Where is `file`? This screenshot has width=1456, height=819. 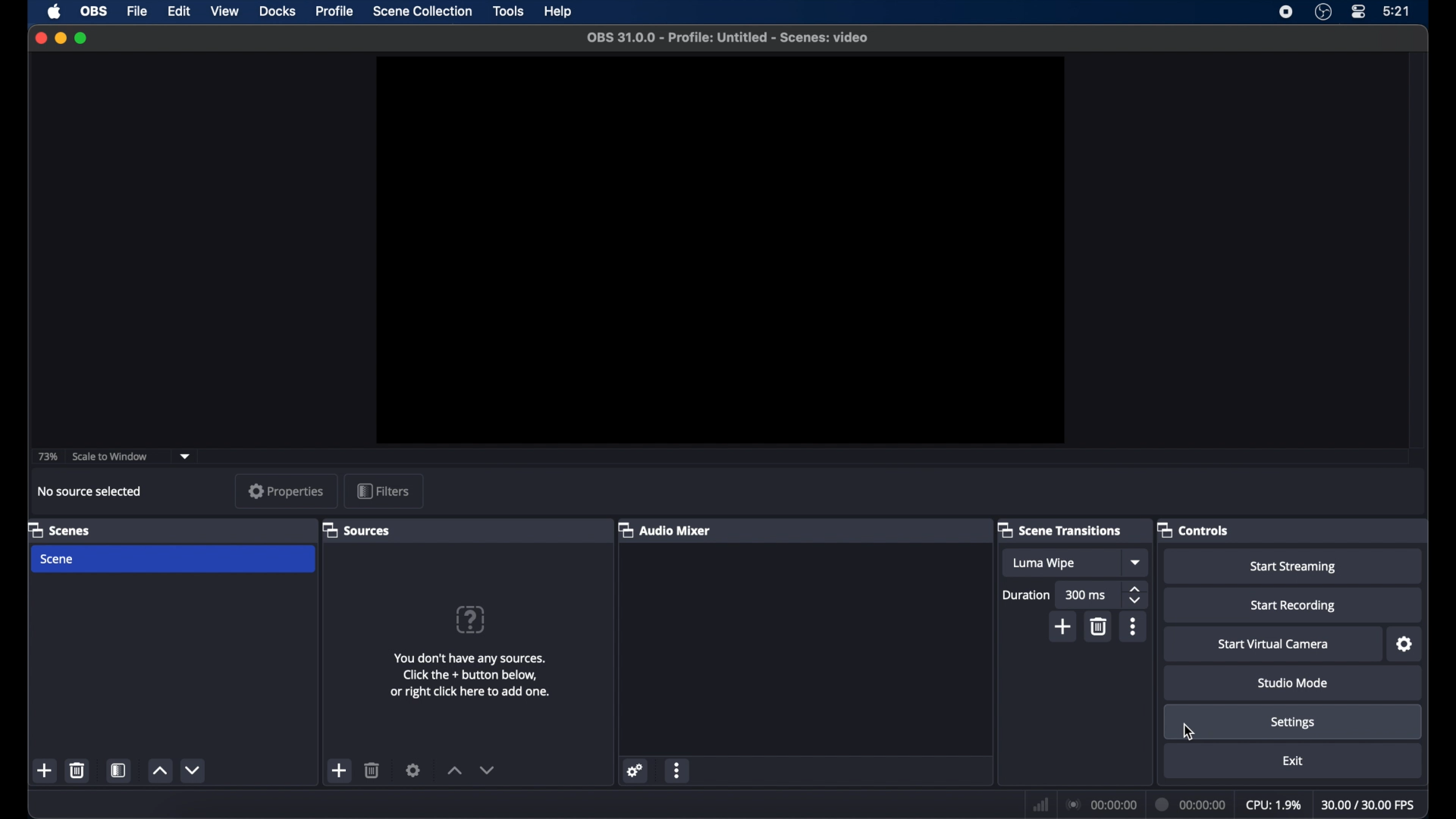 file is located at coordinates (138, 11).